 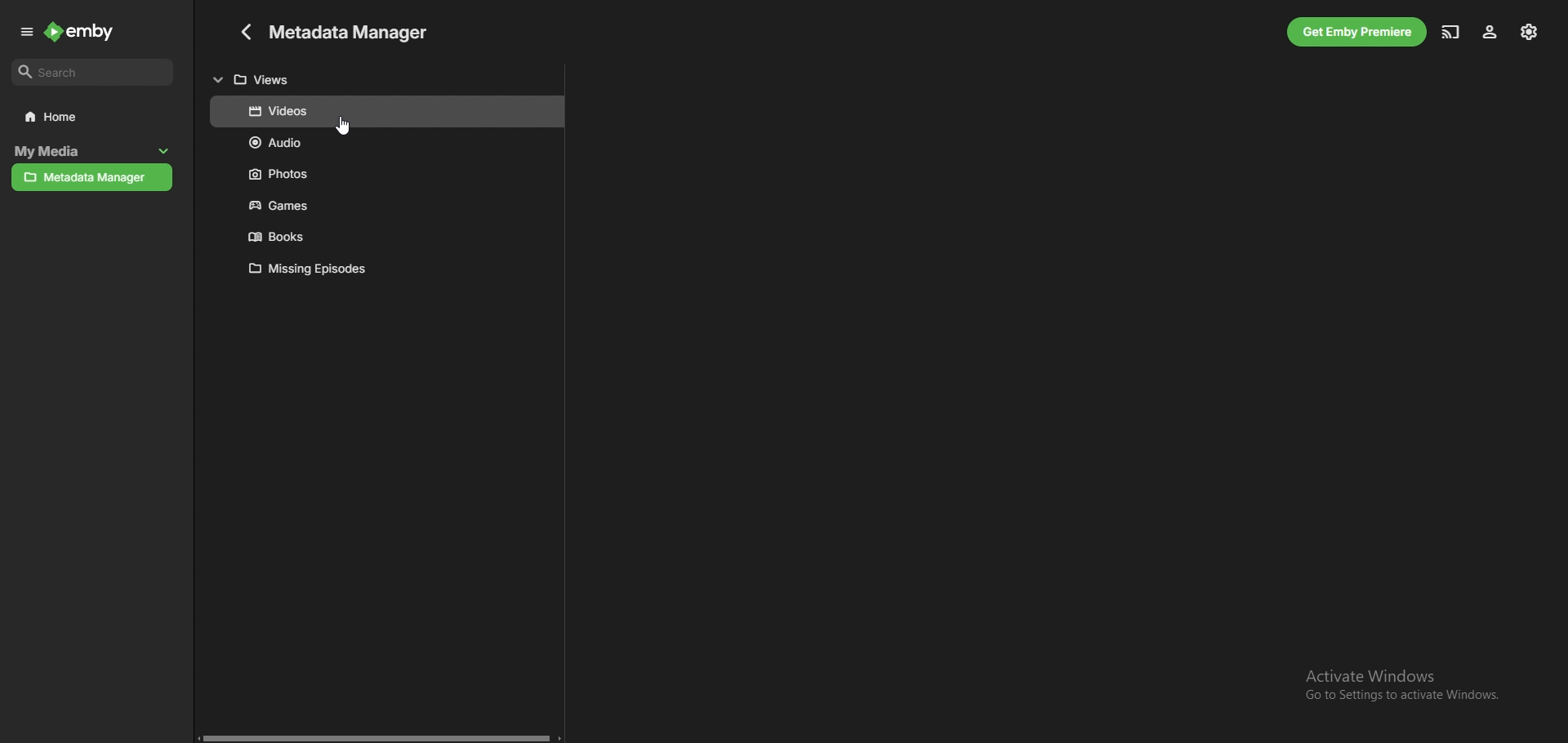 I want to click on go left, so click(x=195, y=738).